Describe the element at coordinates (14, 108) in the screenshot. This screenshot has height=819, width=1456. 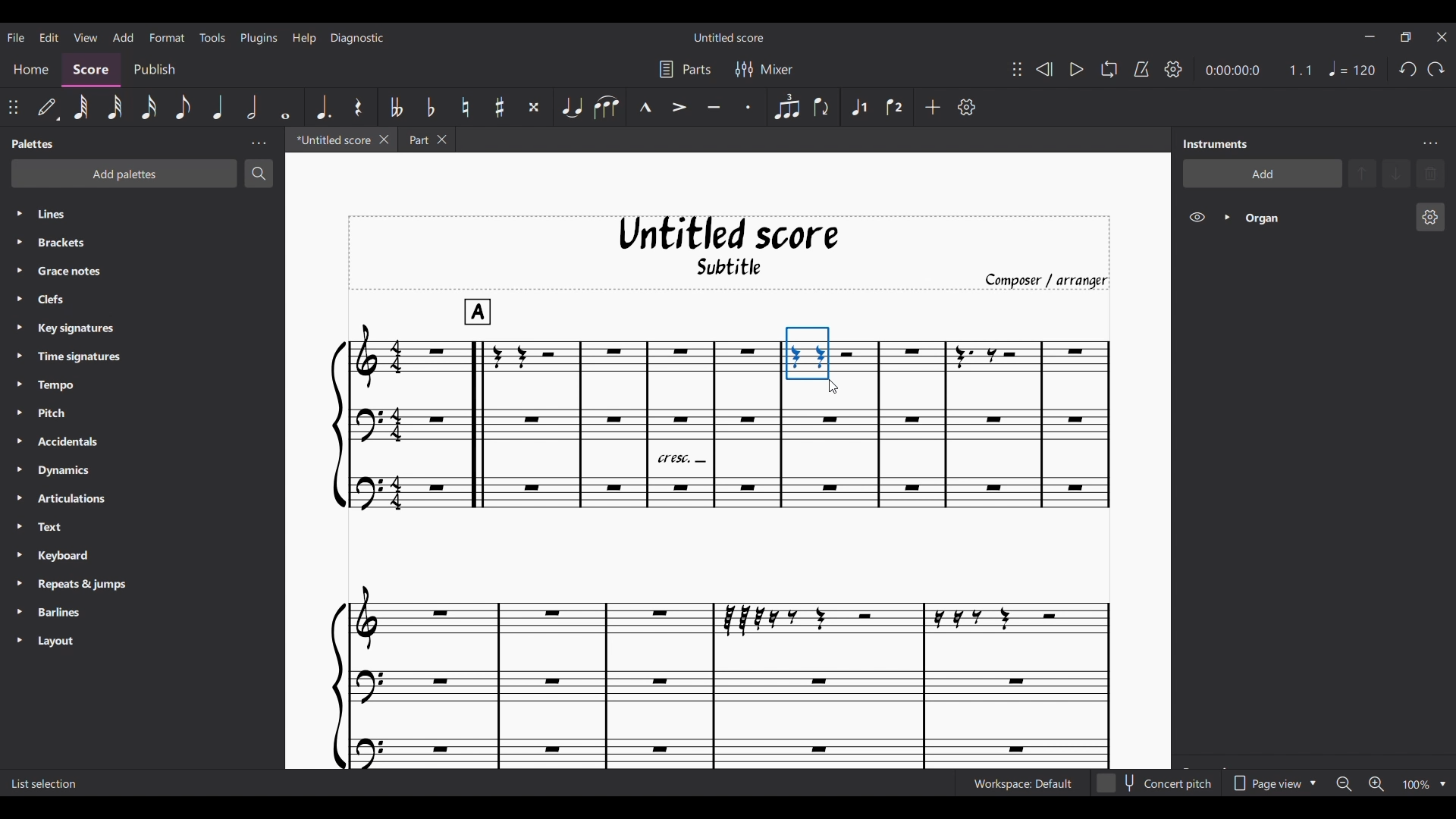
I see `Change position of toolbar attached` at that location.